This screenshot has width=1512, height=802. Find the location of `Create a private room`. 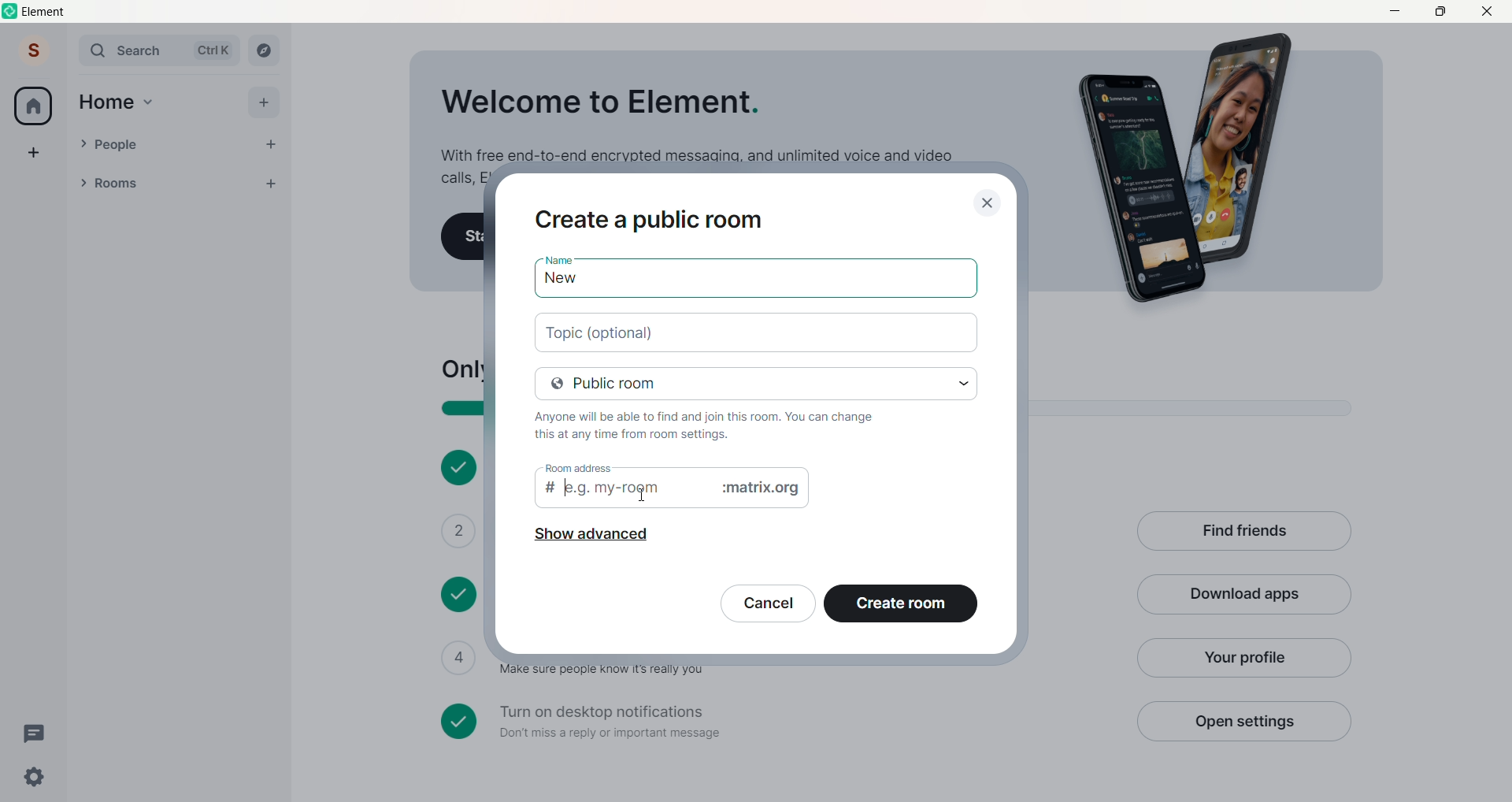

Create a private room is located at coordinates (655, 217).